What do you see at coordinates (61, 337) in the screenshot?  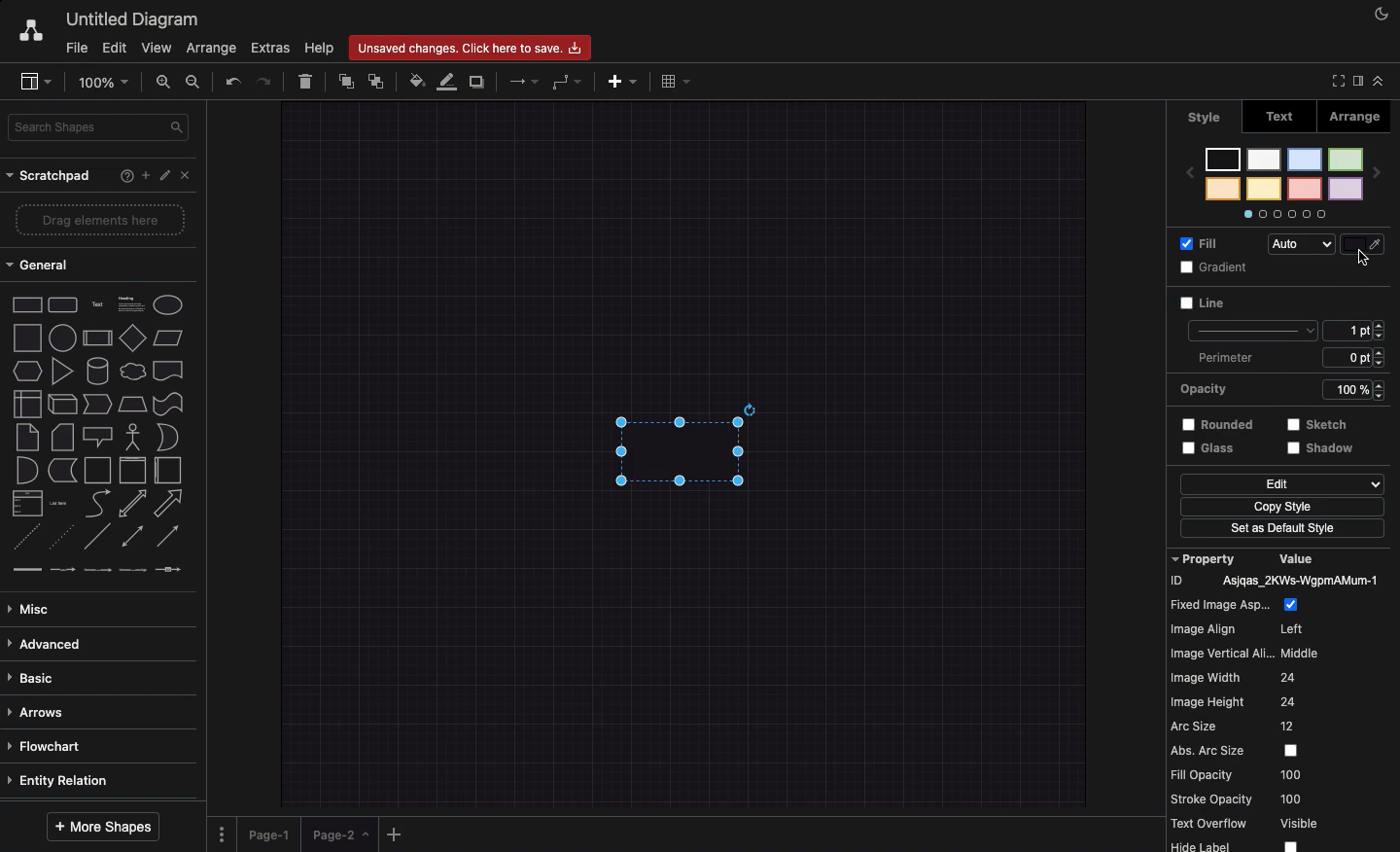 I see `circle` at bounding box center [61, 337].